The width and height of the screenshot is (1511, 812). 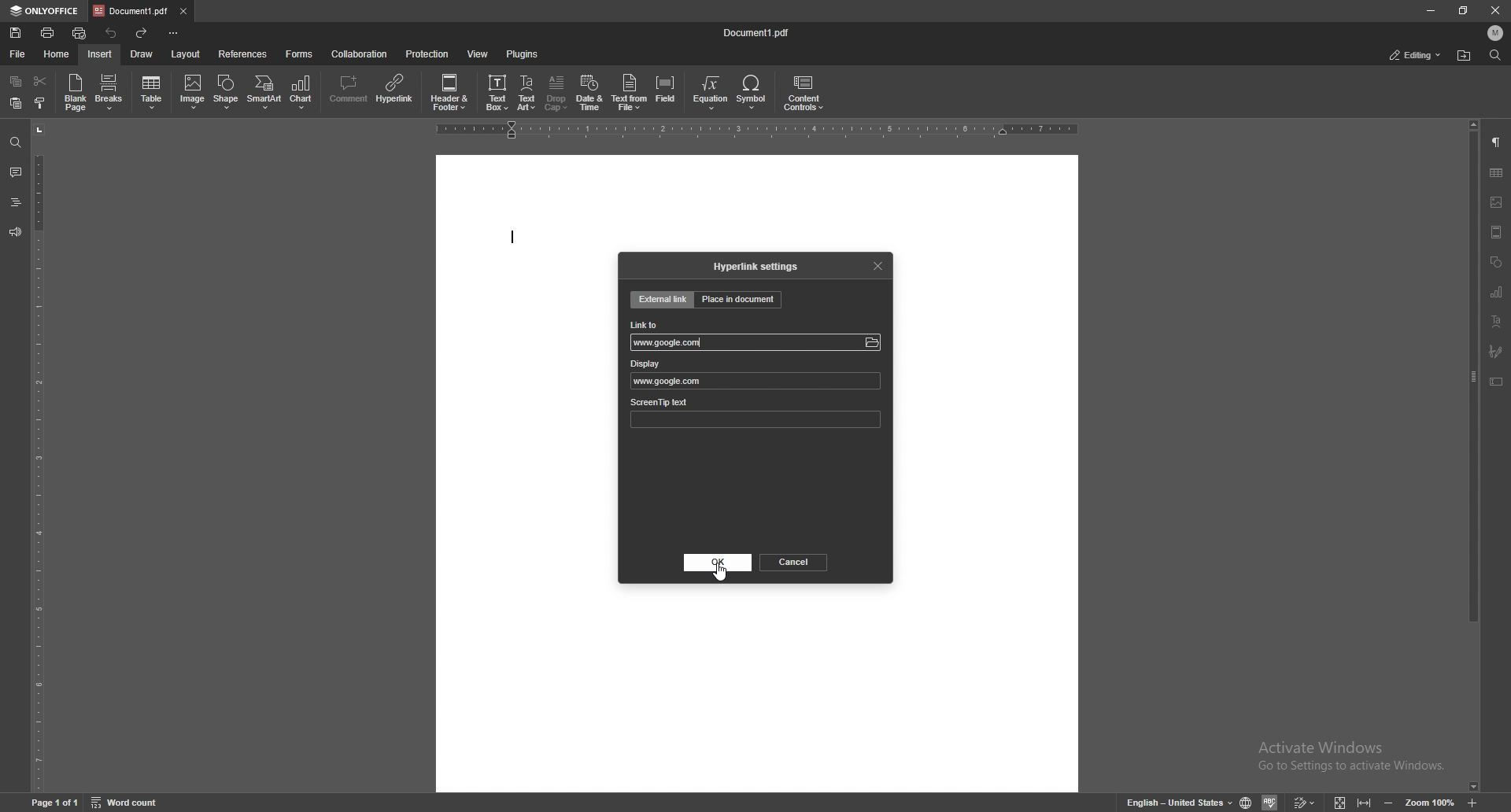 What do you see at coordinates (1428, 801) in the screenshot?
I see `zoom` at bounding box center [1428, 801].